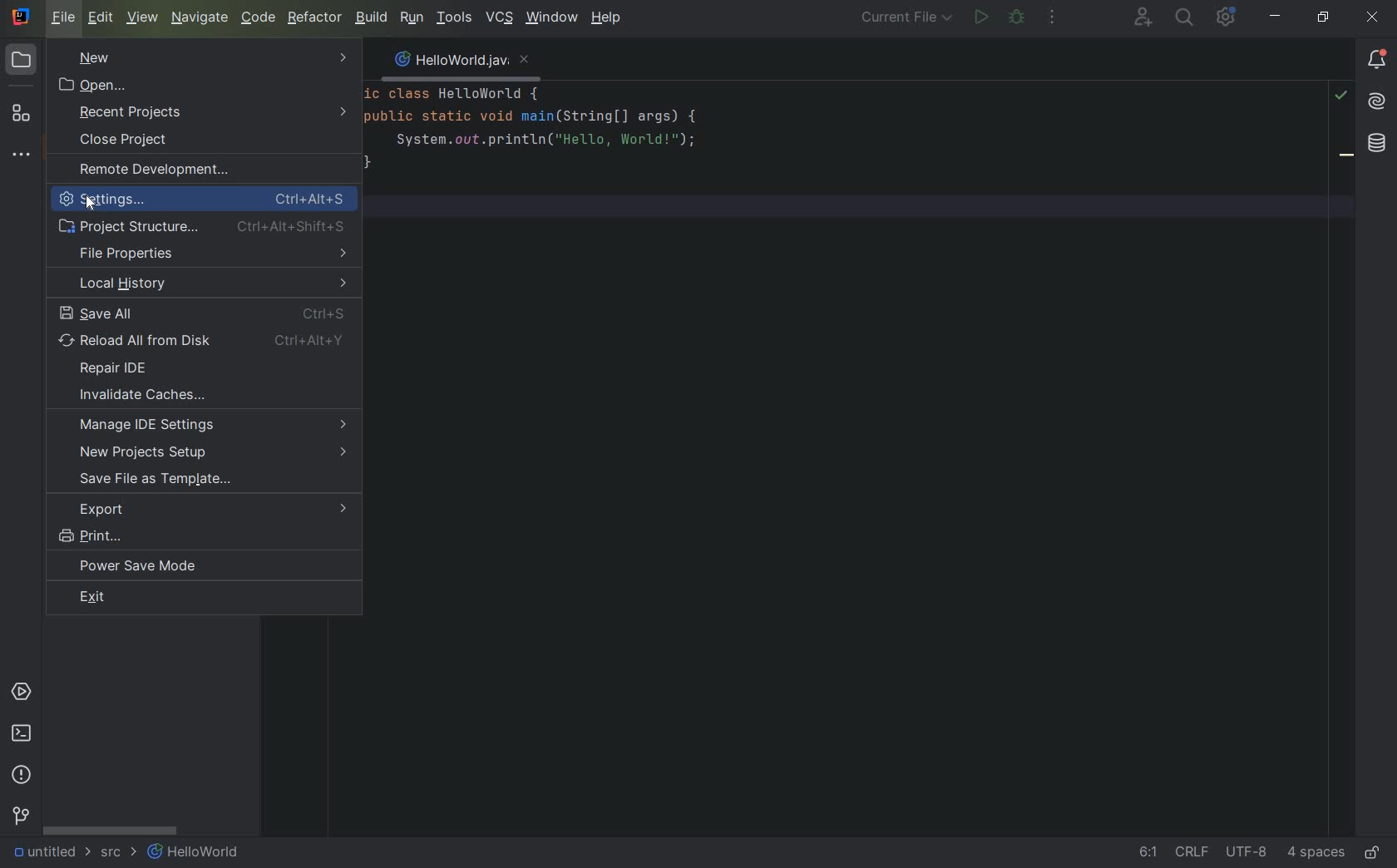 This screenshot has width=1397, height=868. I want to click on repair IDE, so click(204, 368).